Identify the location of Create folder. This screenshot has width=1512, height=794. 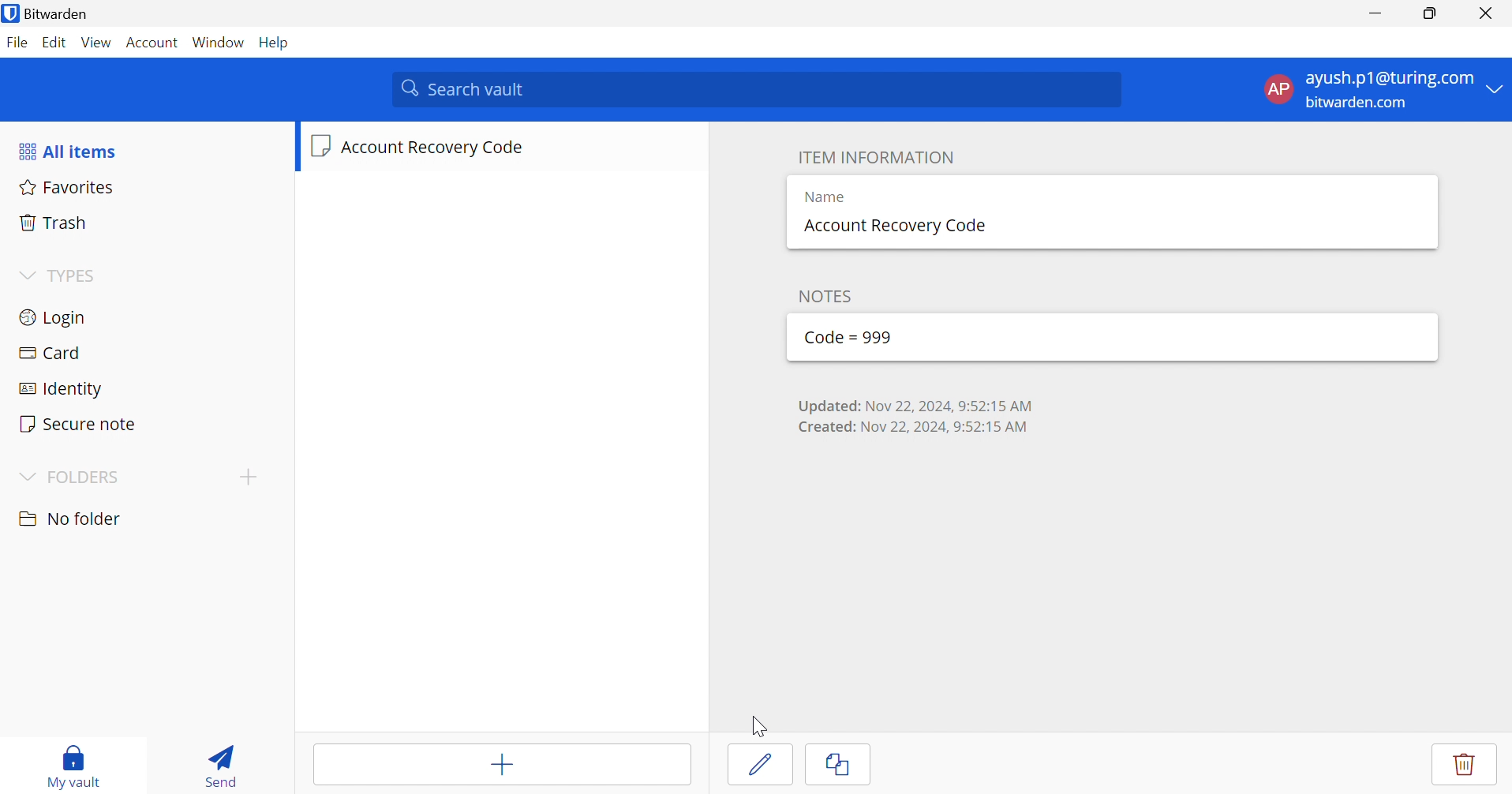
(249, 478).